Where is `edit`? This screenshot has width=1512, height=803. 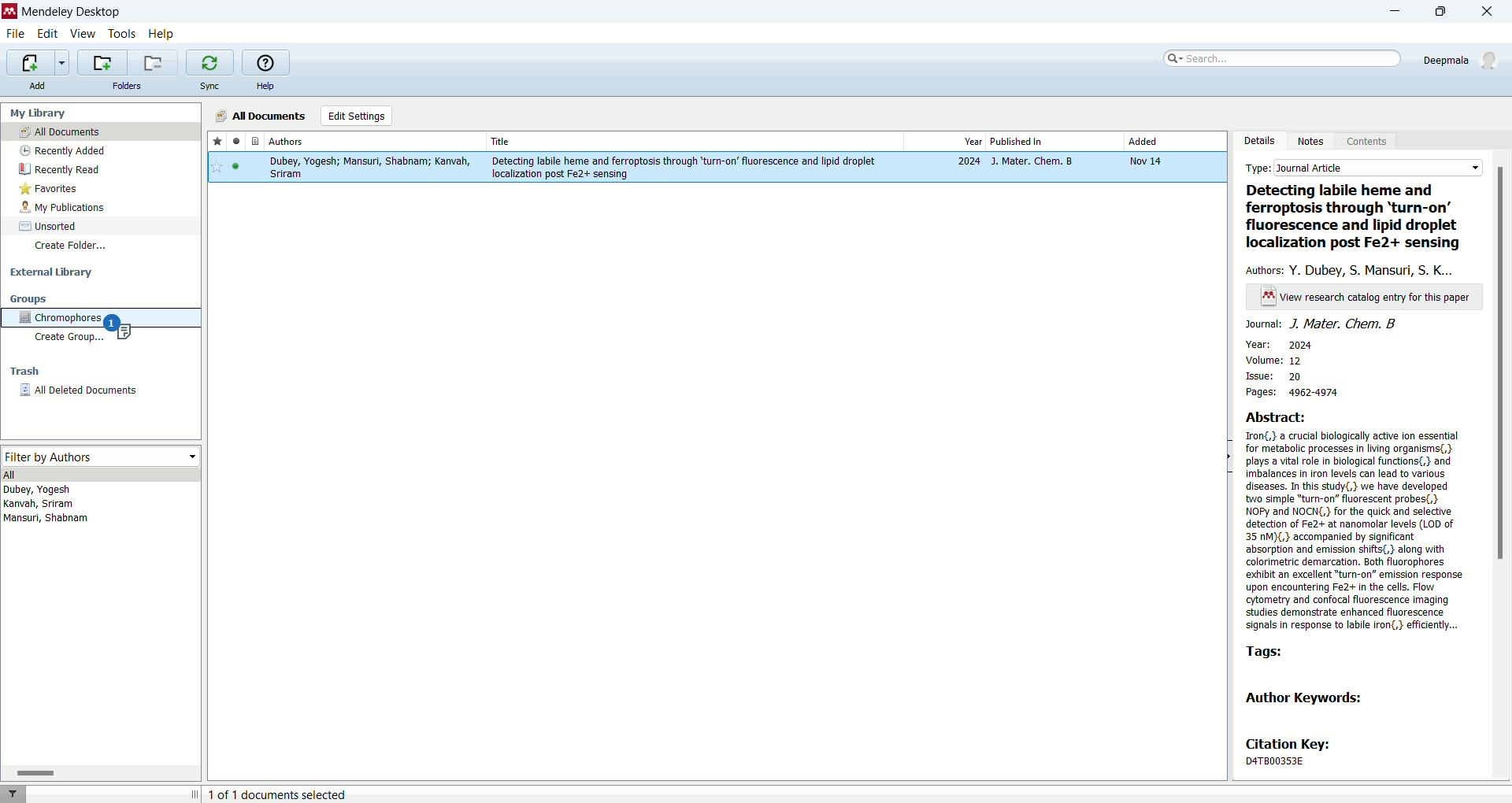 edit is located at coordinates (49, 33).